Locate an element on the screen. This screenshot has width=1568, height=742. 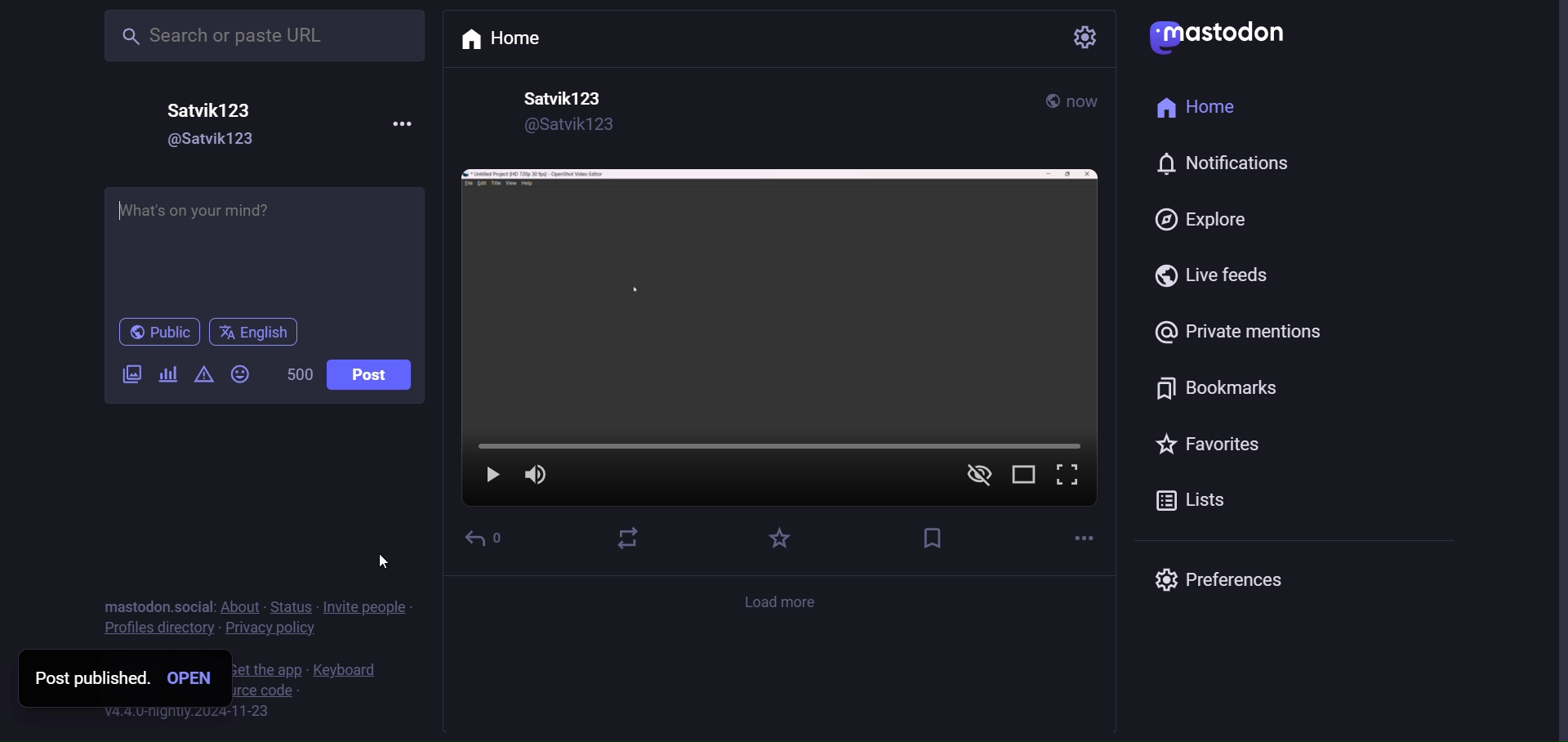
live feed is located at coordinates (1210, 276).